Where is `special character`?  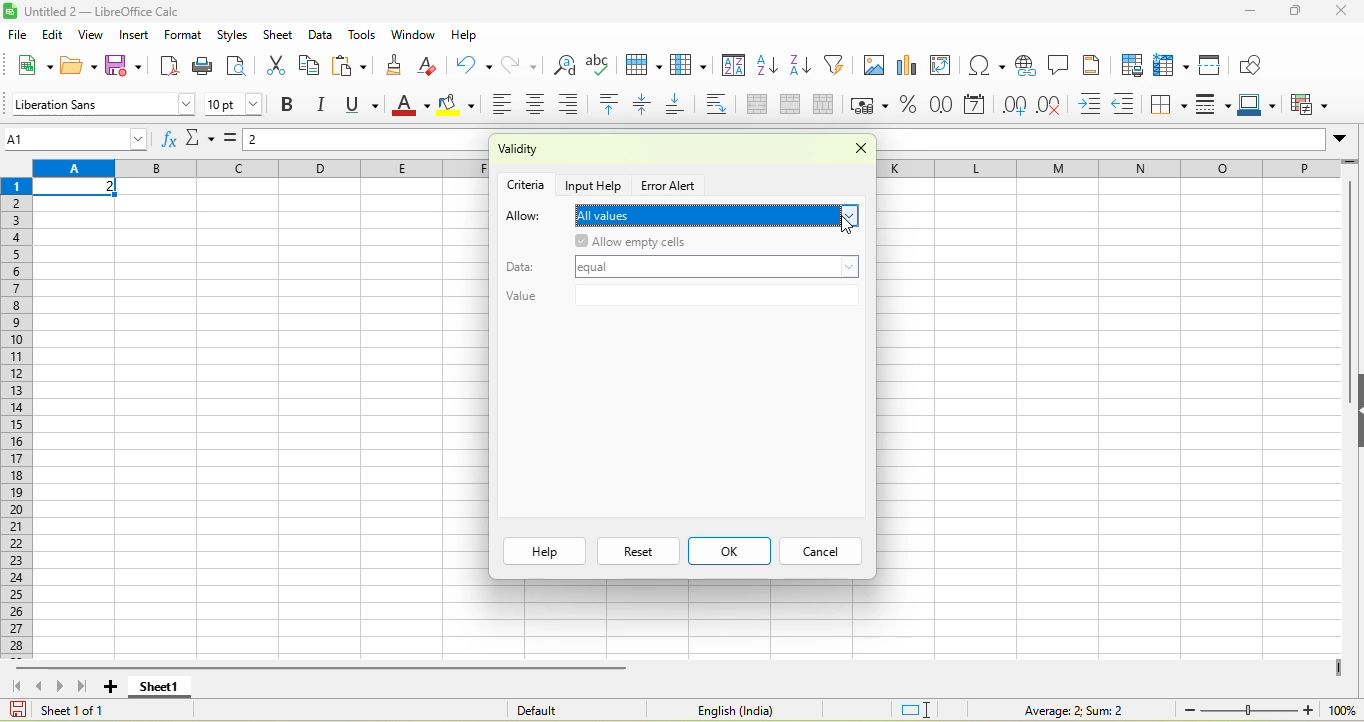
special character is located at coordinates (983, 65).